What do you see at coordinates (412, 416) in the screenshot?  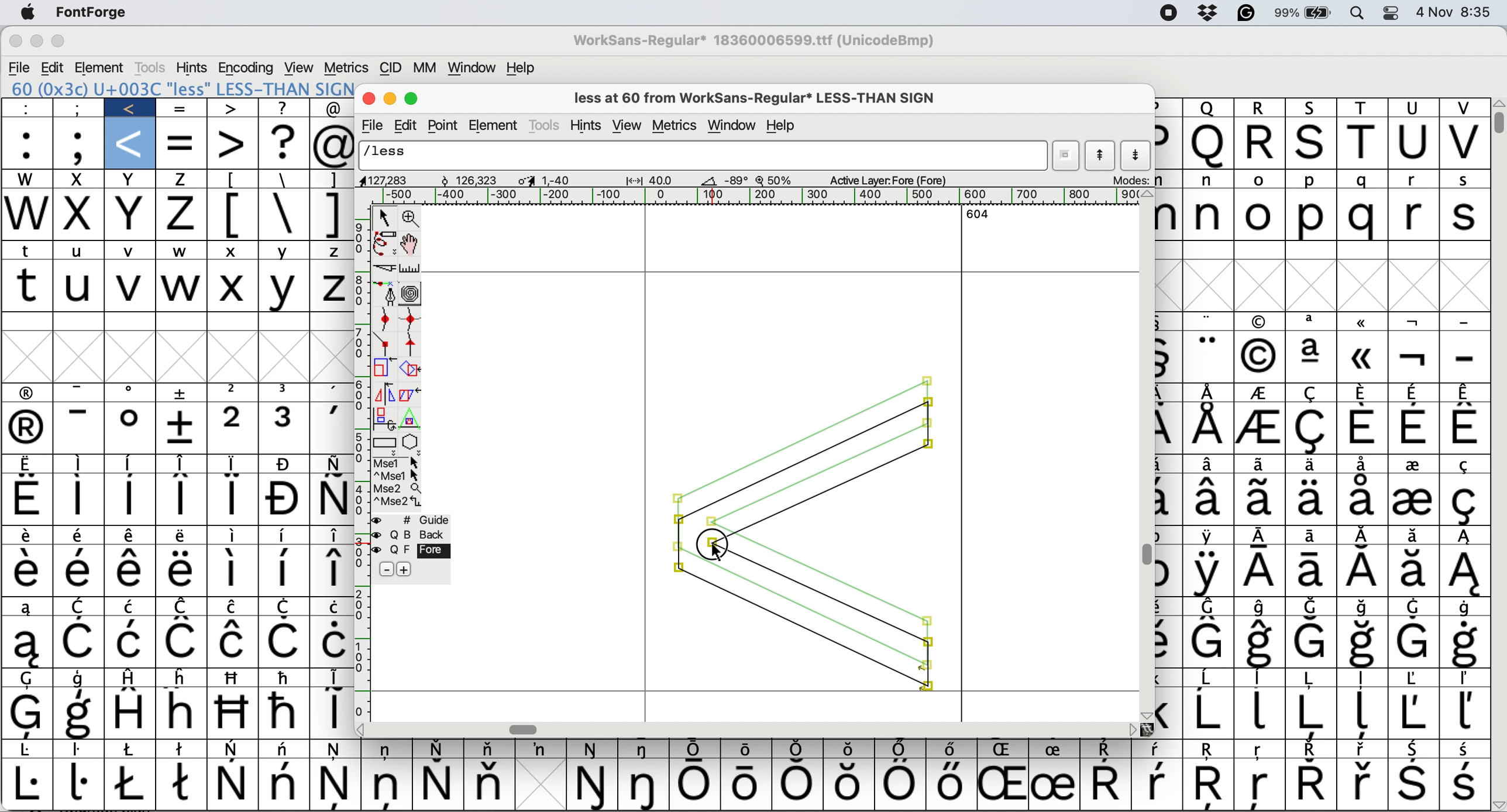 I see `perform a perspective tranformation on selection` at bounding box center [412, 416].